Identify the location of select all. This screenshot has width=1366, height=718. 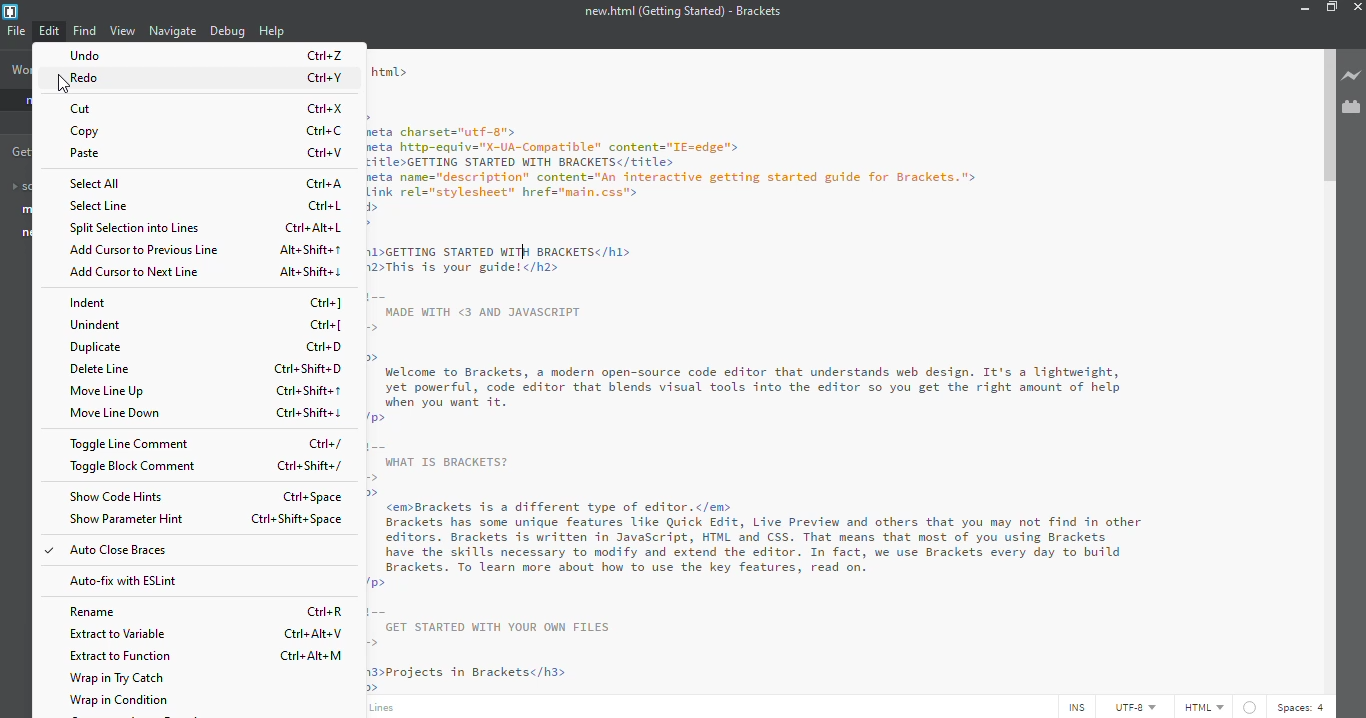
(93, 182).